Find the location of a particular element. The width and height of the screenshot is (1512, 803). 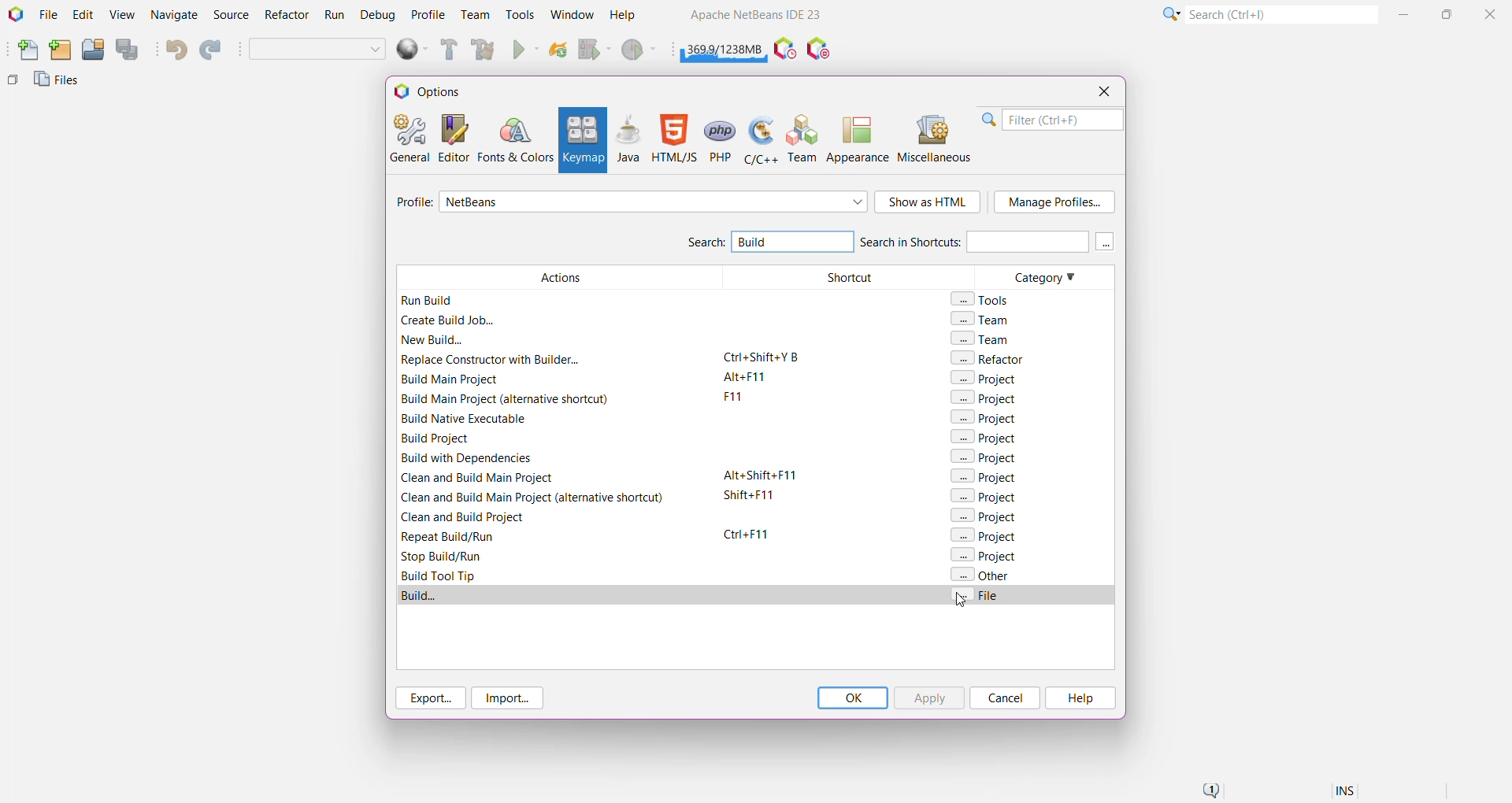

Debug  is located at coordinates (376, 16).